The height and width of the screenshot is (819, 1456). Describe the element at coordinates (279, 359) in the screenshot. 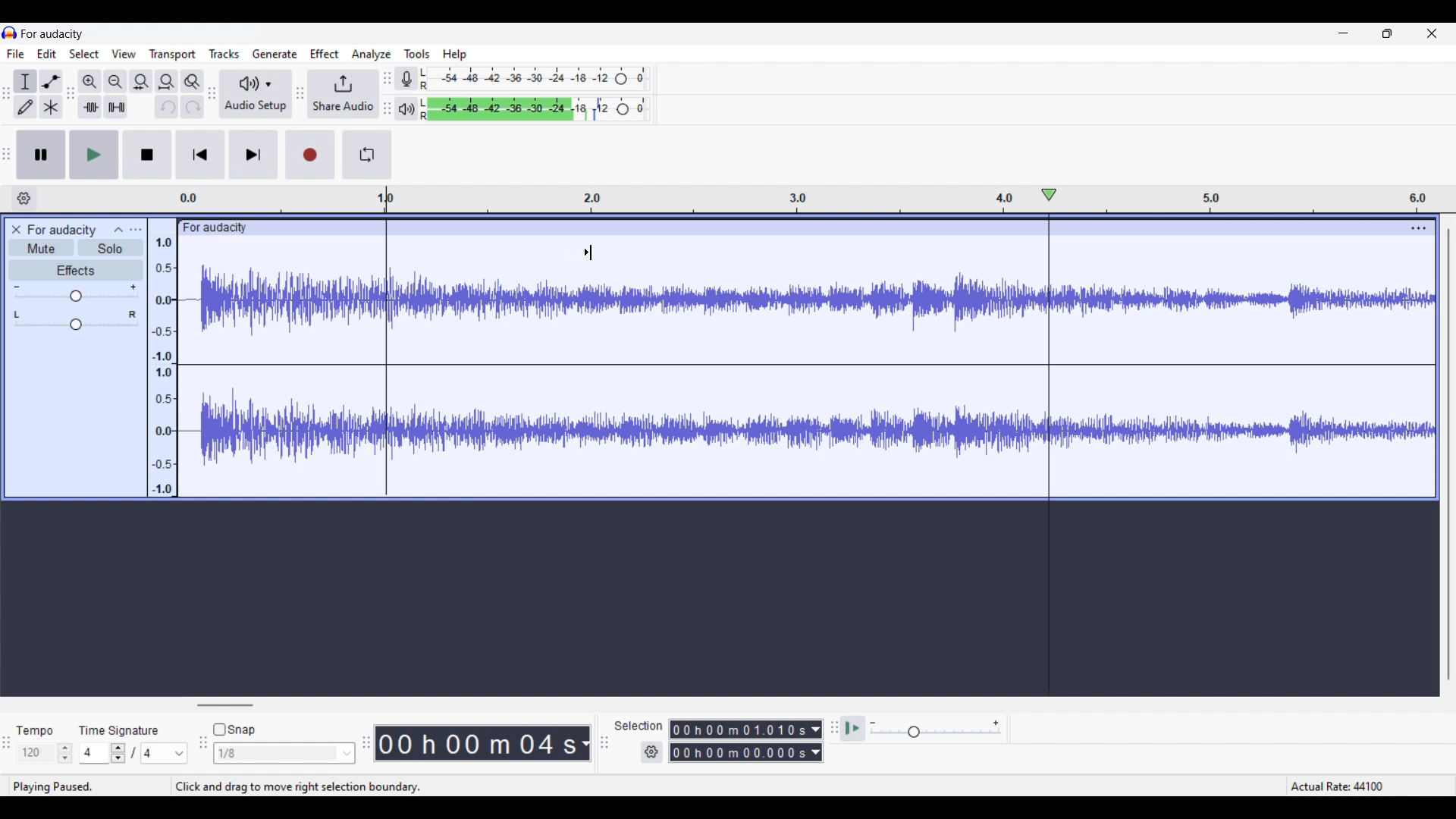

I see `Current track` at that location.